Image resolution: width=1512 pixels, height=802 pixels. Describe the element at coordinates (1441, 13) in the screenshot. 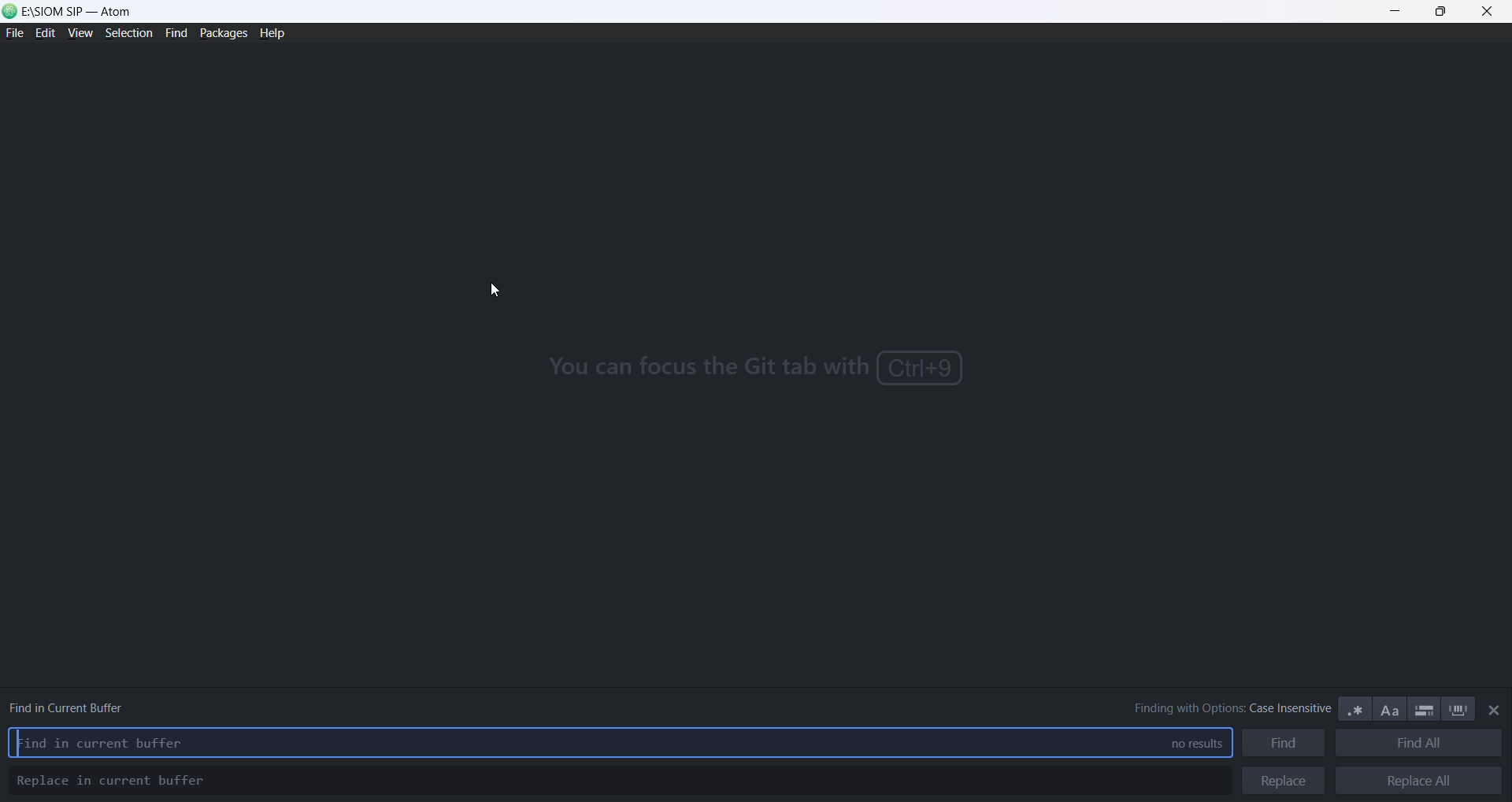

I see `maximize` at that location.